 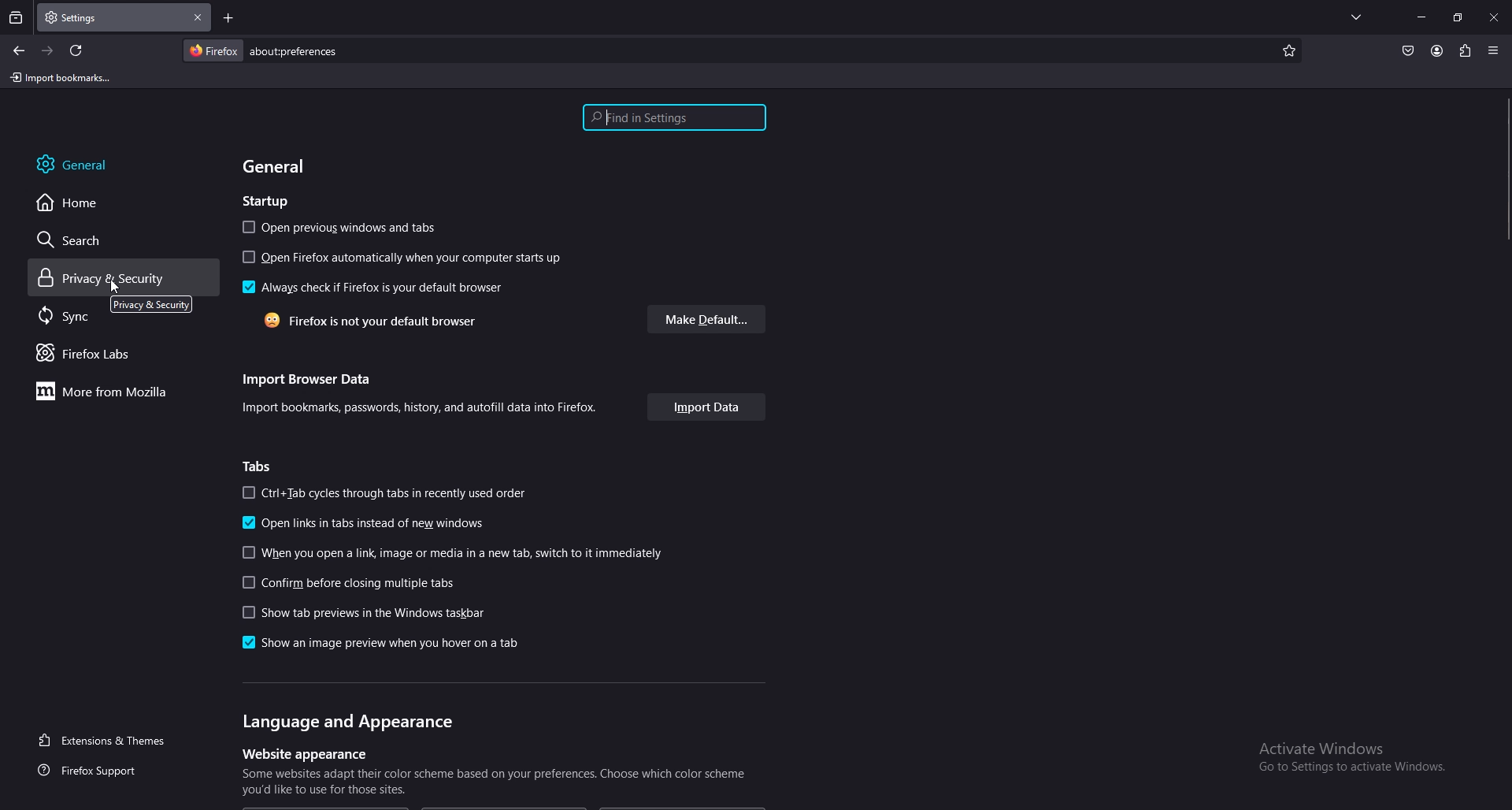 What do you see at coordinates (1356, 17) in the screenshot?
I see `list all tabs` at bounding box center [1356, 17].